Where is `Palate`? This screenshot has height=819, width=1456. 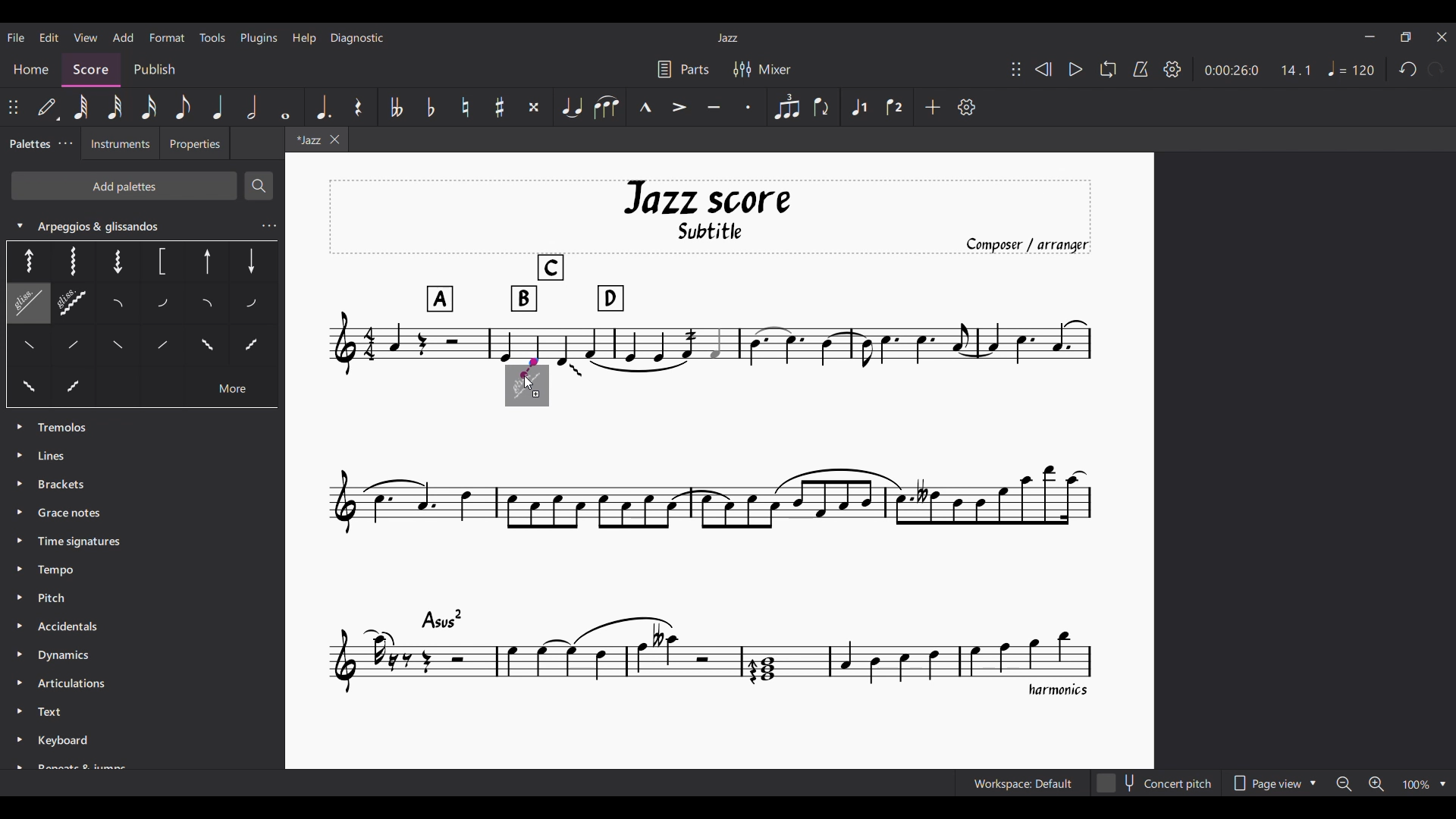 Palate is located at coordinates (80, 349).